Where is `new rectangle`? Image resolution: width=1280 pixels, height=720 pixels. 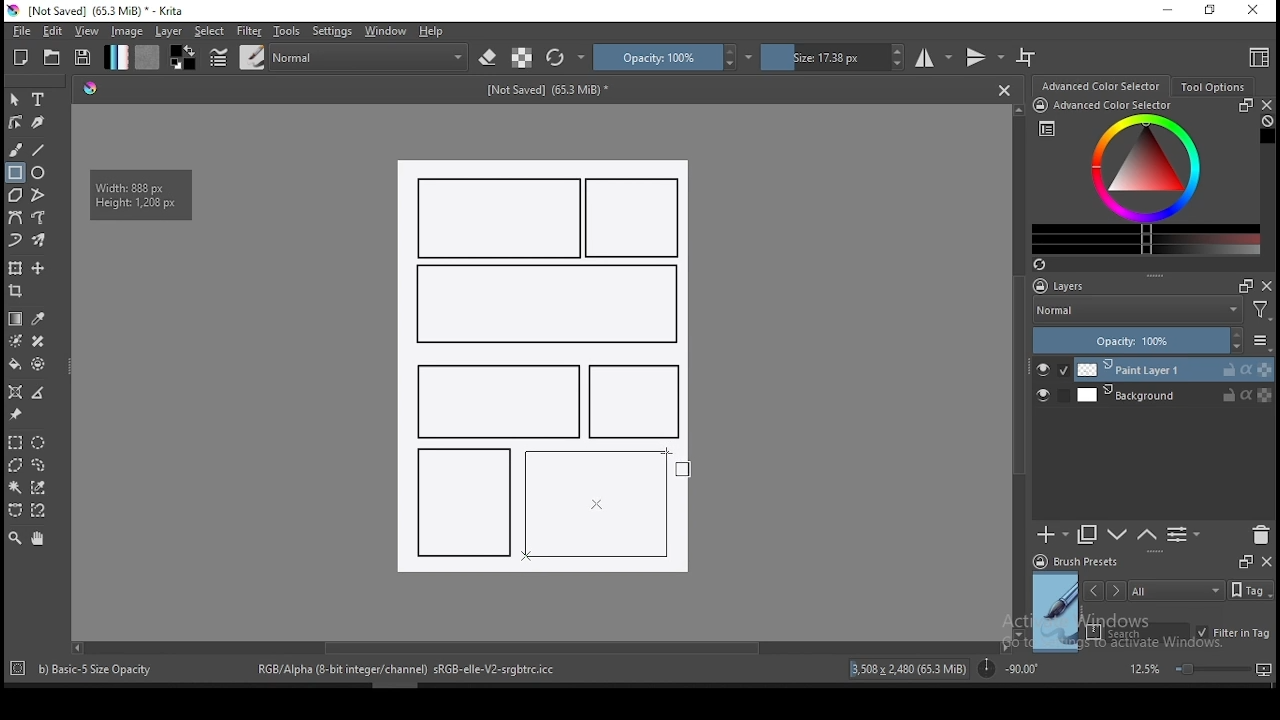
new rectangle is located at coordinates (494, 399).